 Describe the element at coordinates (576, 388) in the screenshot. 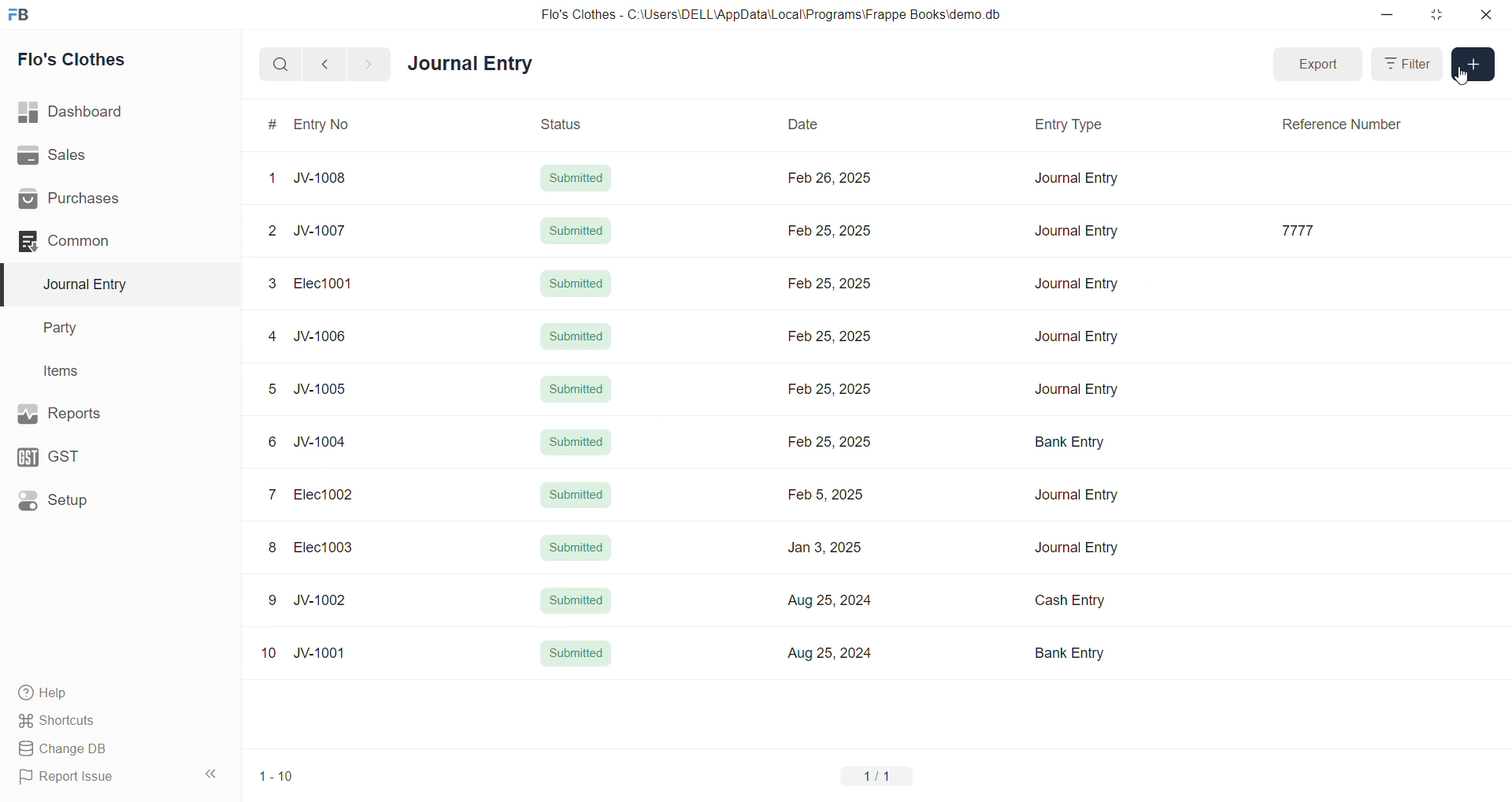

I see `Submitted` at that location.